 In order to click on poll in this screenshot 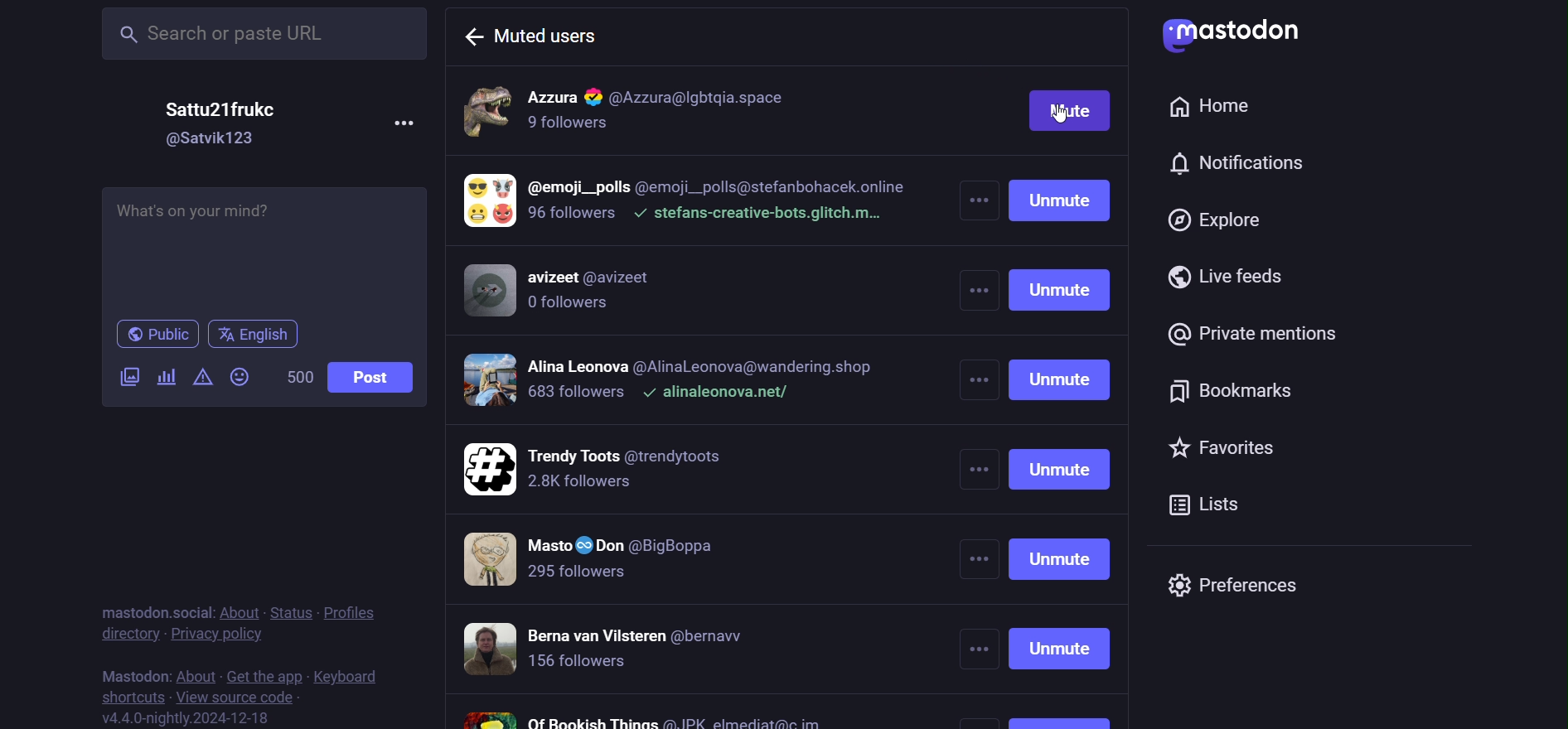, I will do `click(167, 375)`.